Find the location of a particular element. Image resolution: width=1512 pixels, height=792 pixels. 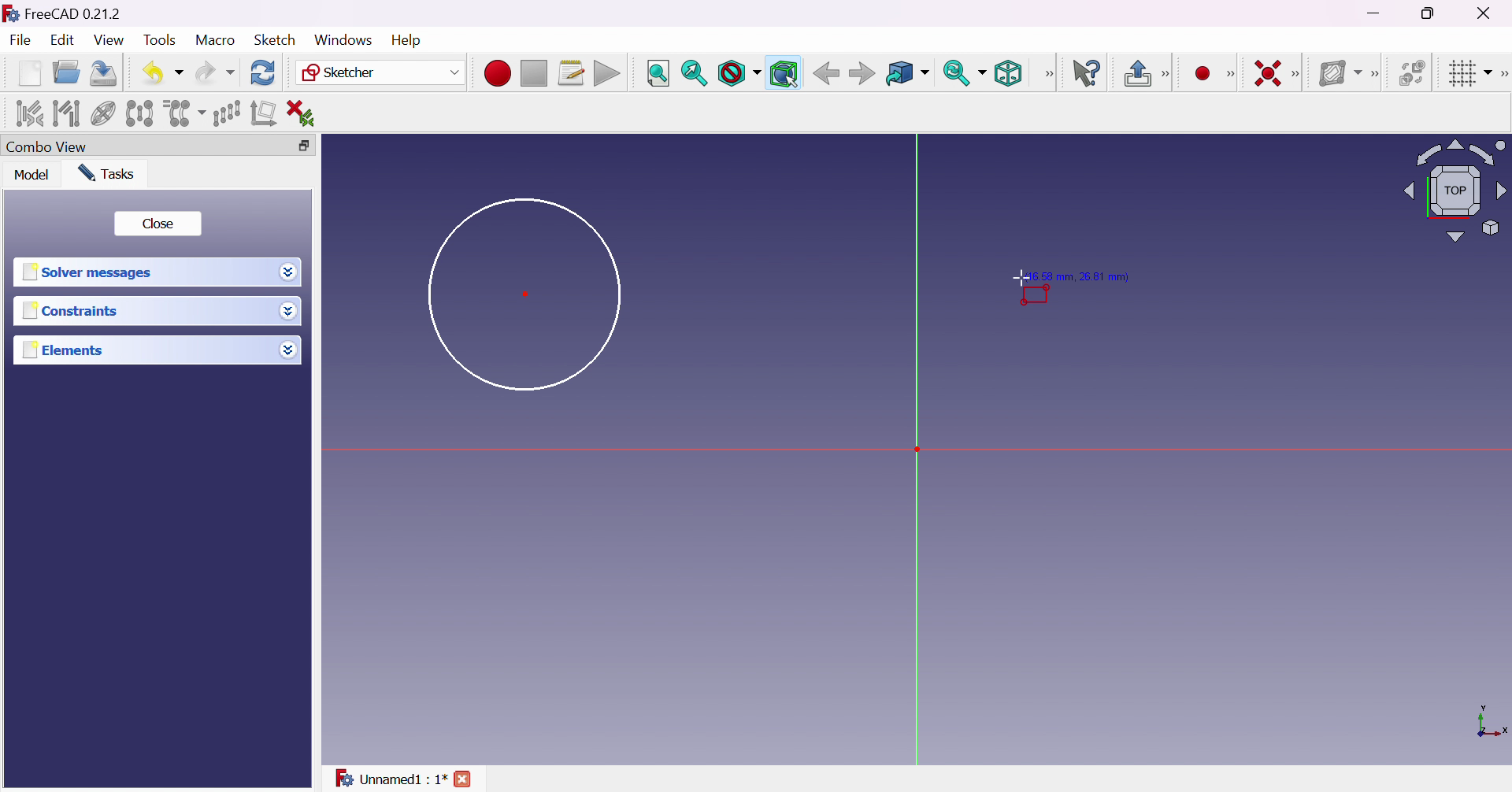

Toggle grid is located at coordinates (1468, 72).